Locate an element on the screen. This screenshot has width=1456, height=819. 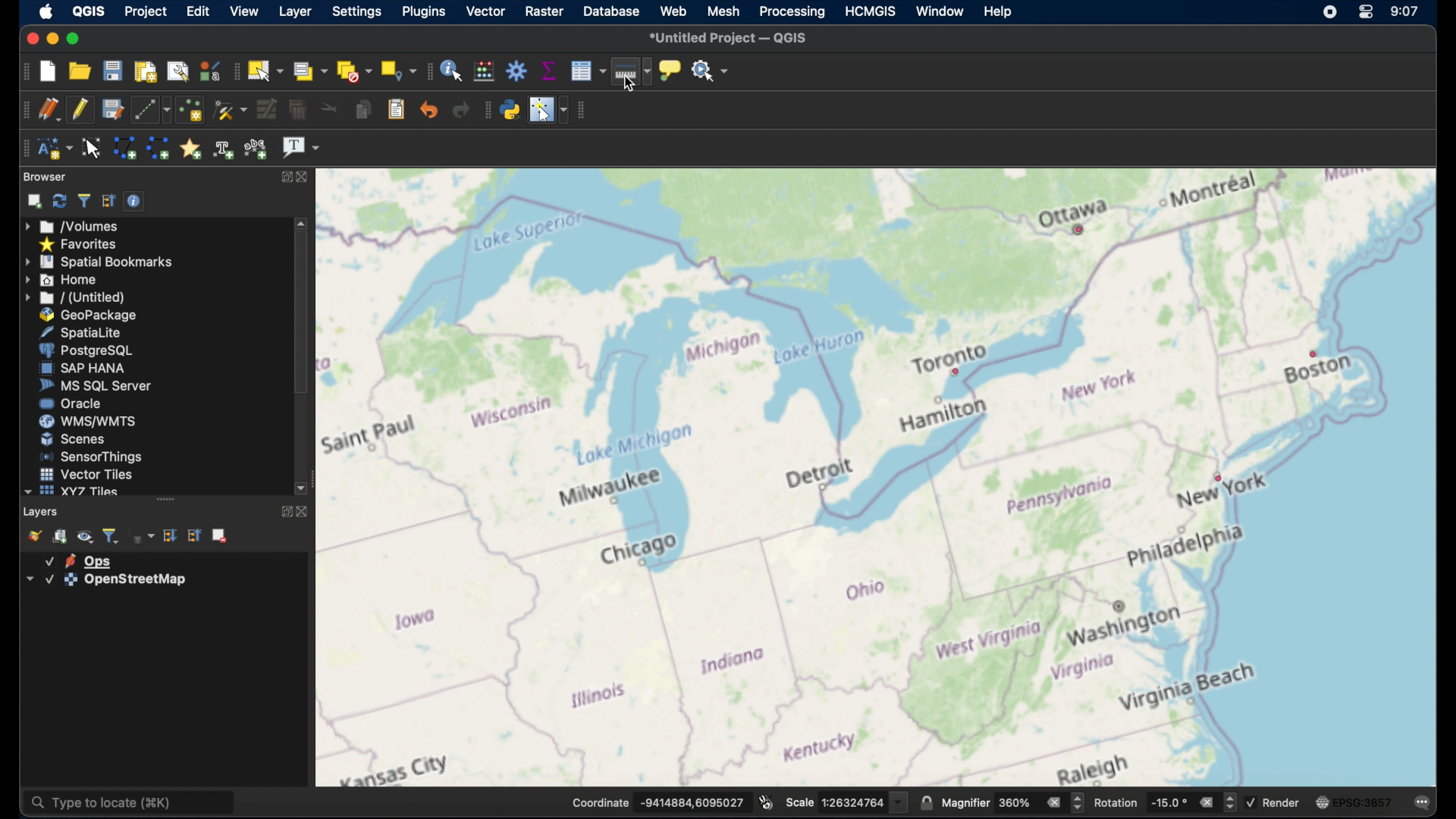
scenes is located at coordinates (72, 439).